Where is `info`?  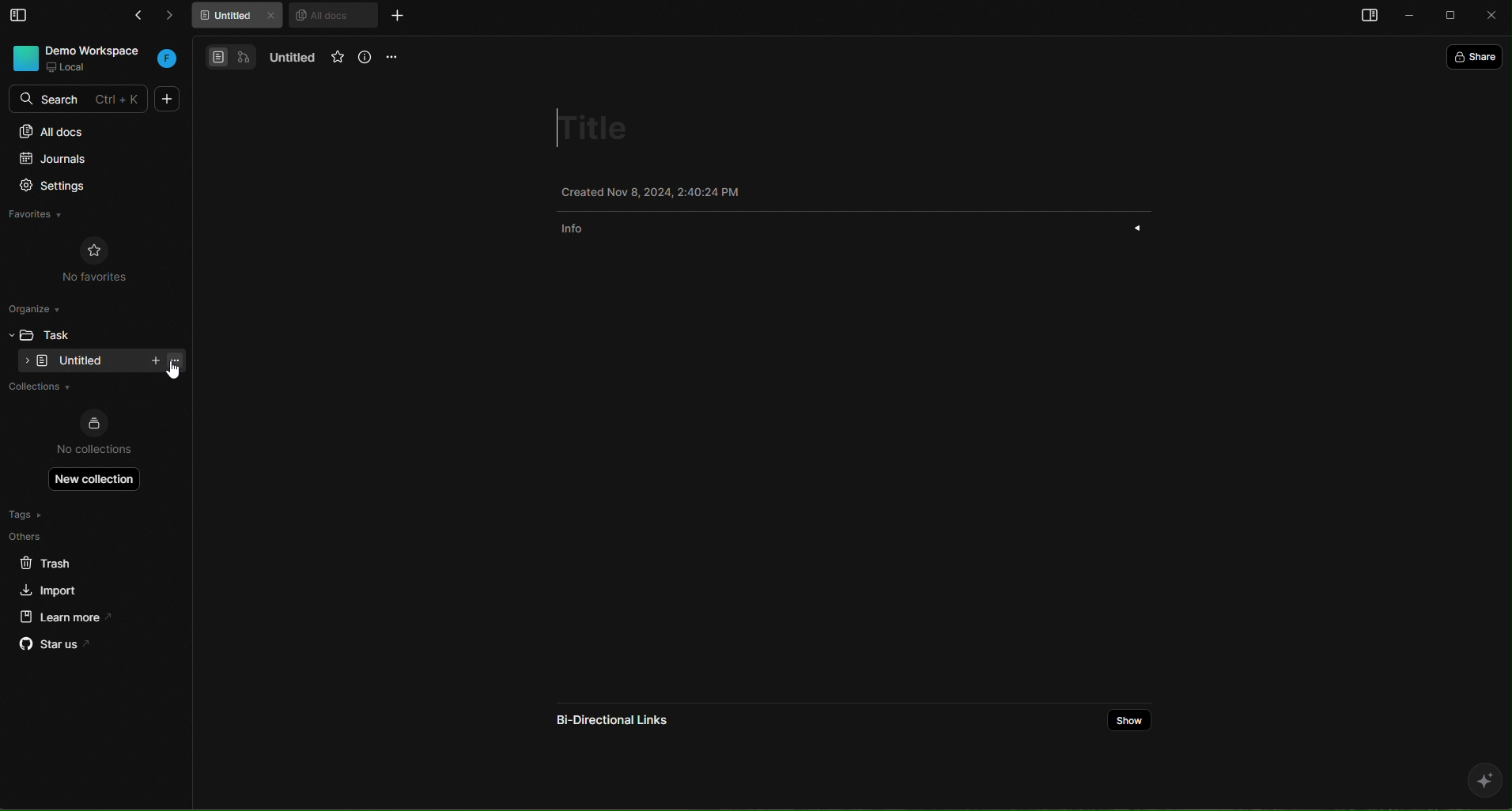
info is located at coordinates (858, 227).